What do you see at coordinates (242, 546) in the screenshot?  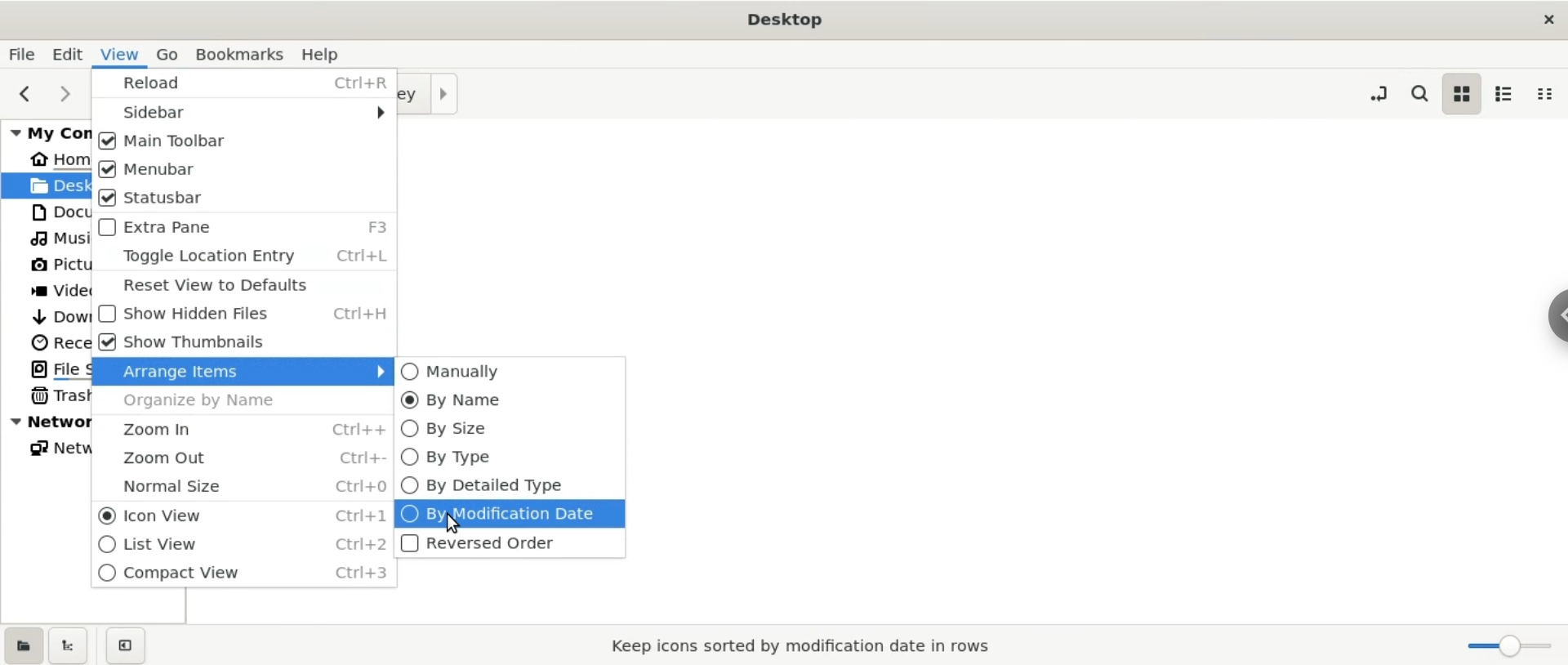 I see `list view` at bounding box center [242, 546].